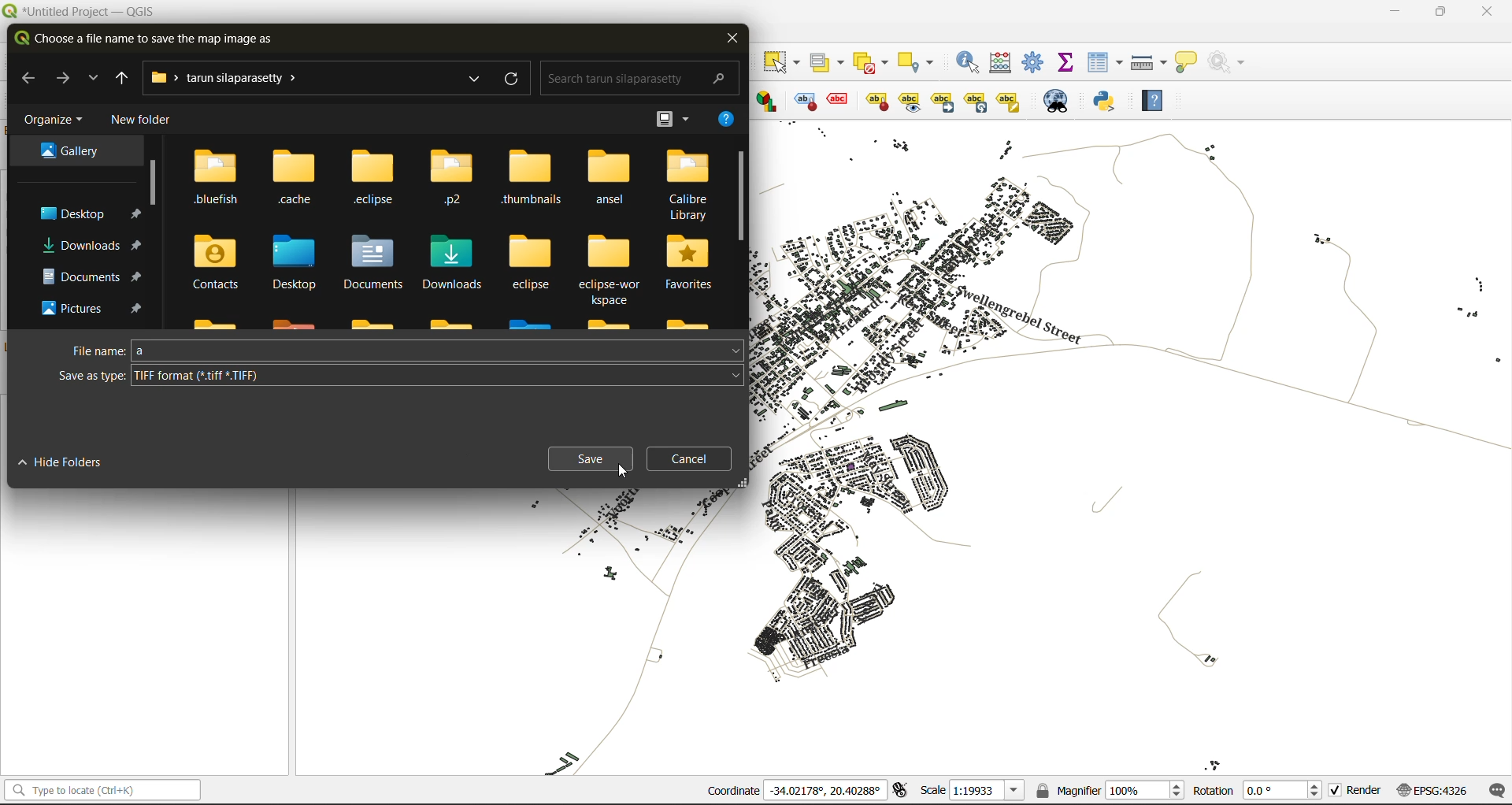 This screenshot has width=1512, height=805. What do you see at coordinates (768, 101) in the screenshot?
I see `Layer diagram options` at bounding box center [768, 101].